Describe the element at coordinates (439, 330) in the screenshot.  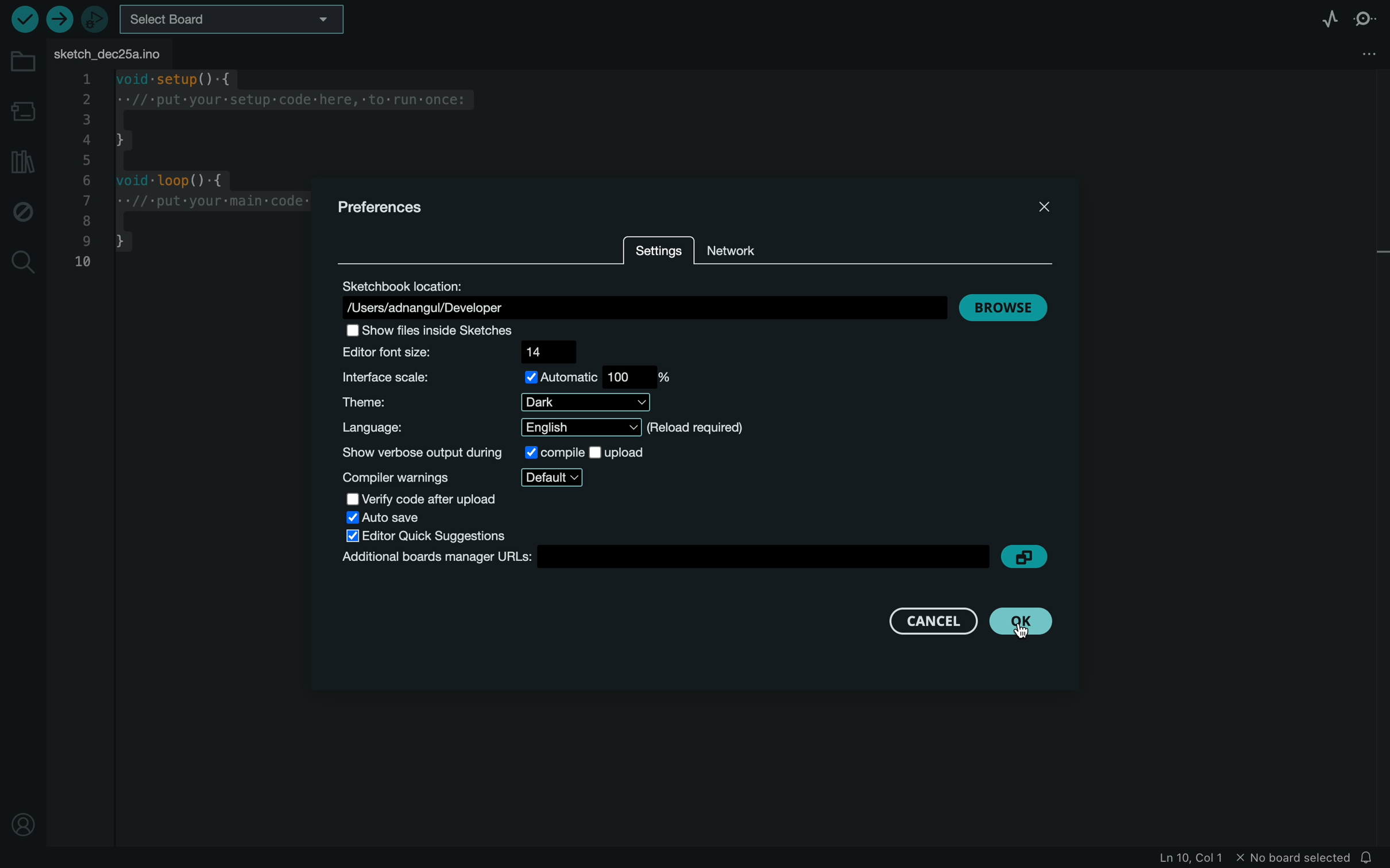
I see `show  files` at that location.